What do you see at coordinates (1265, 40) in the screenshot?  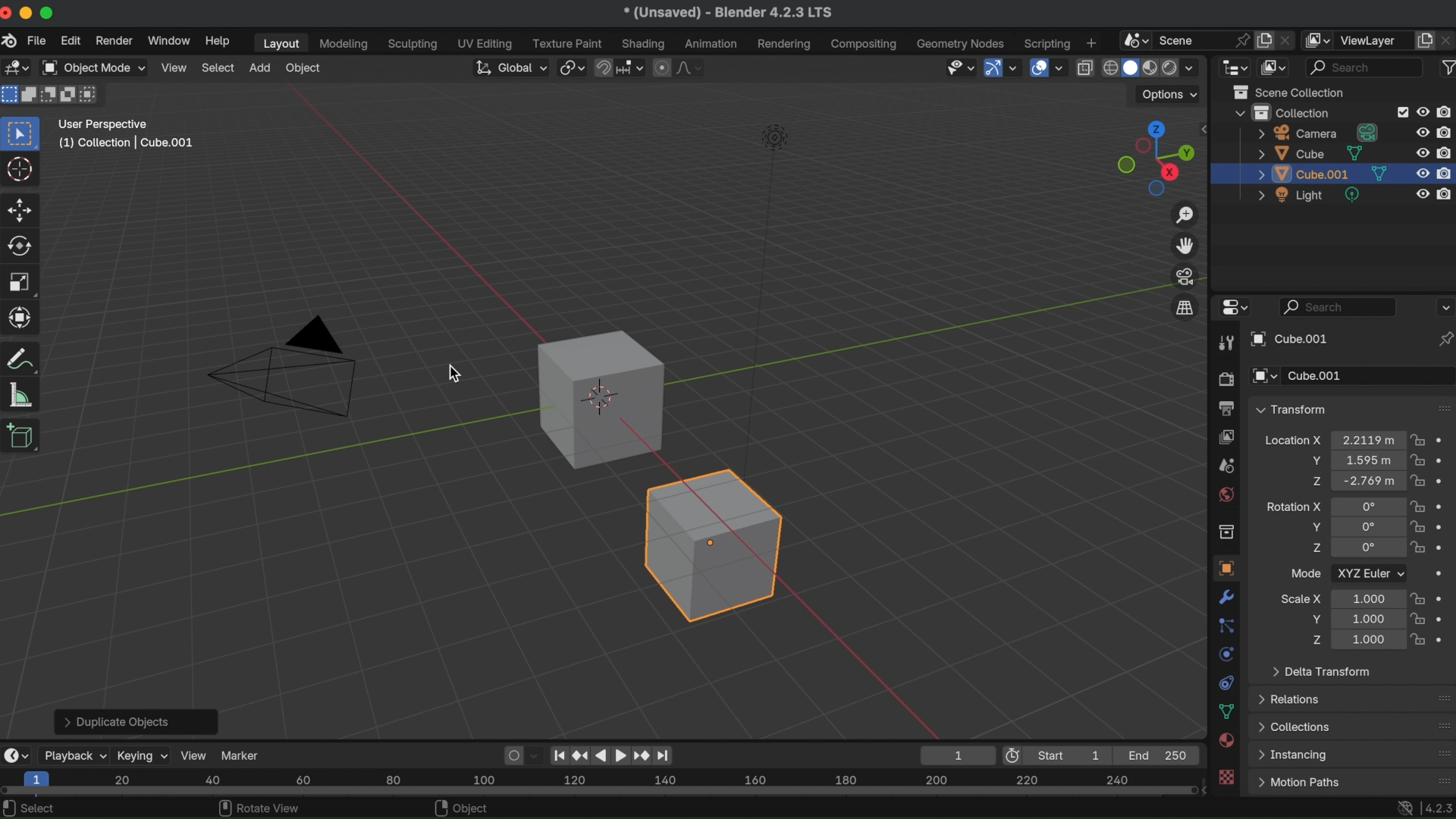 I see `new scene` at bounding box center [1265, 40].